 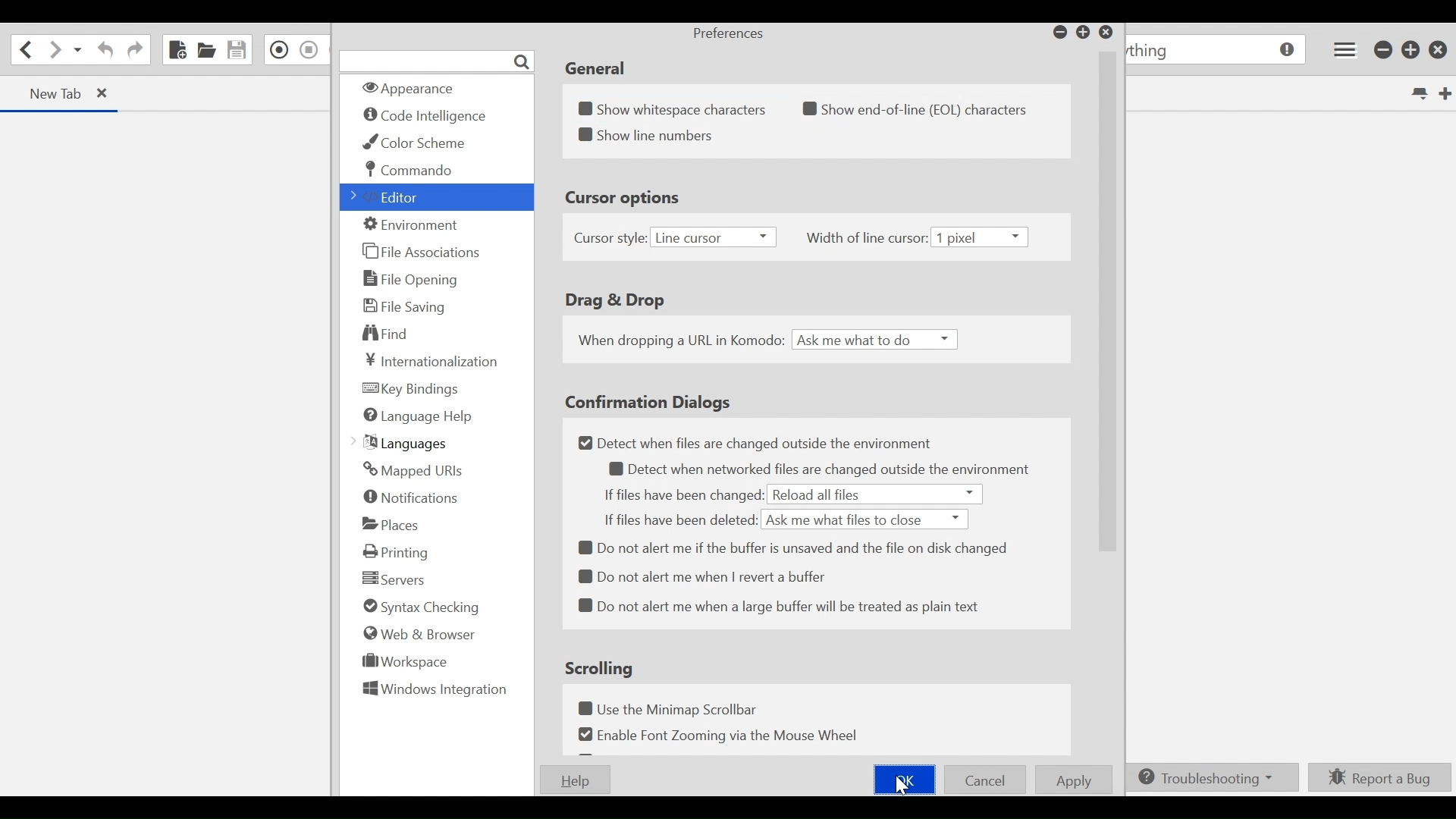 What do you see at coordinates (648, 401) in the screenshot?
I see `Confirmation Dialogs` at bounding box center [648, 401].